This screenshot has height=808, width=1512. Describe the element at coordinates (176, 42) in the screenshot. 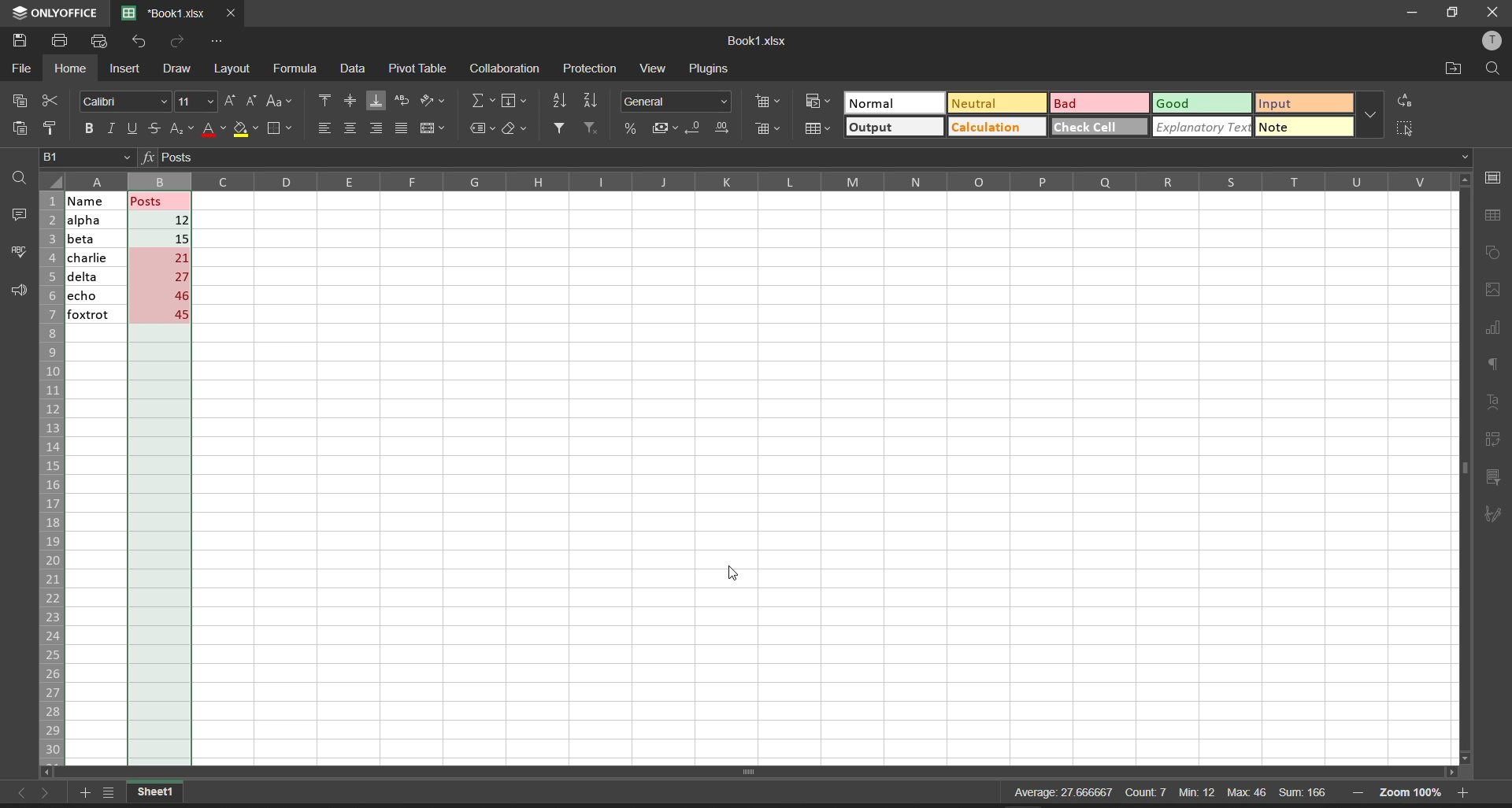

I see `redo` at that location.